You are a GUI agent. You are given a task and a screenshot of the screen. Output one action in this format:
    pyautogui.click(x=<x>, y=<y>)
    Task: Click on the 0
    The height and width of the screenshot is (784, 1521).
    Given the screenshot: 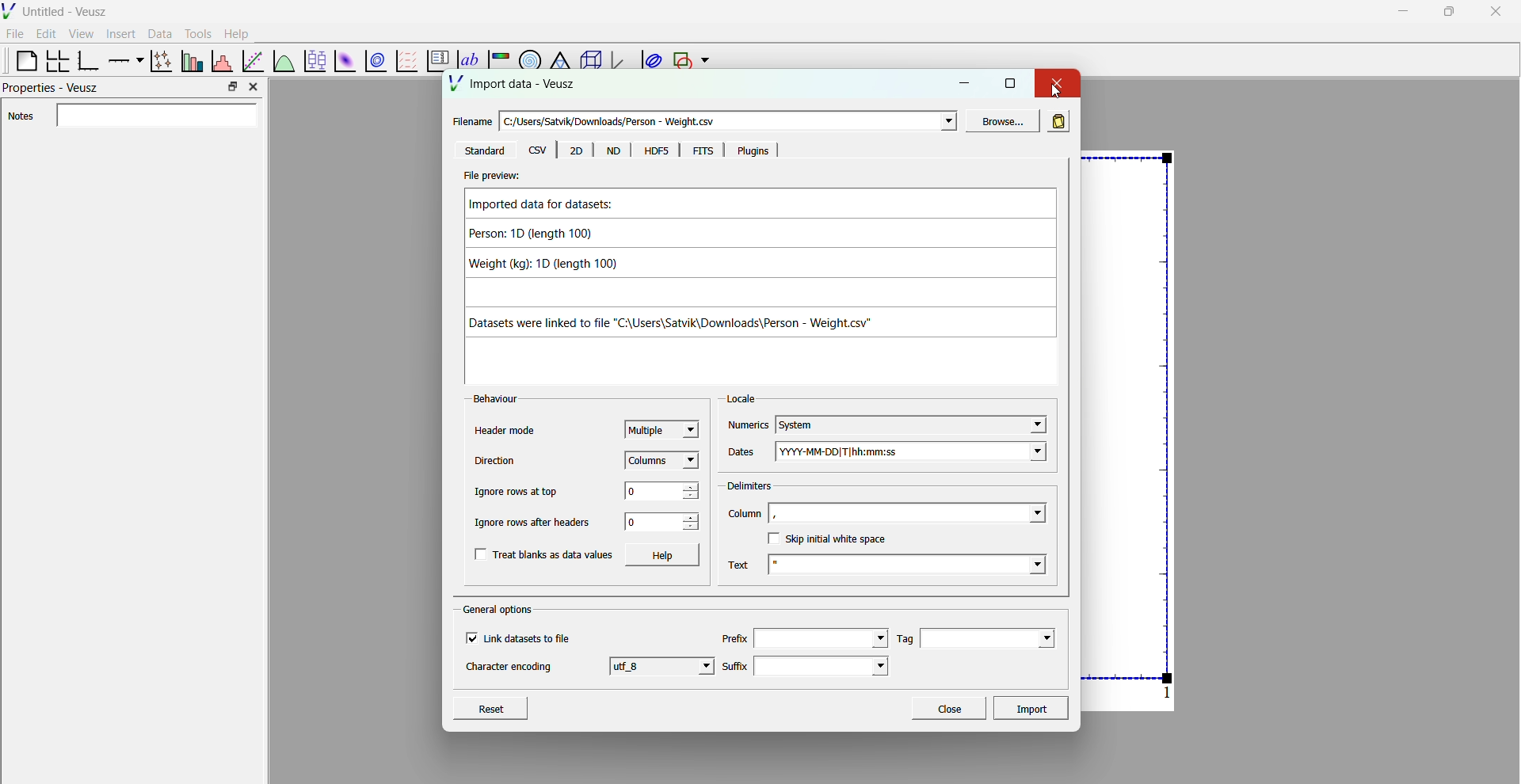 What is the action you would take?
    pyautogui.click(x=641, y=491)
    